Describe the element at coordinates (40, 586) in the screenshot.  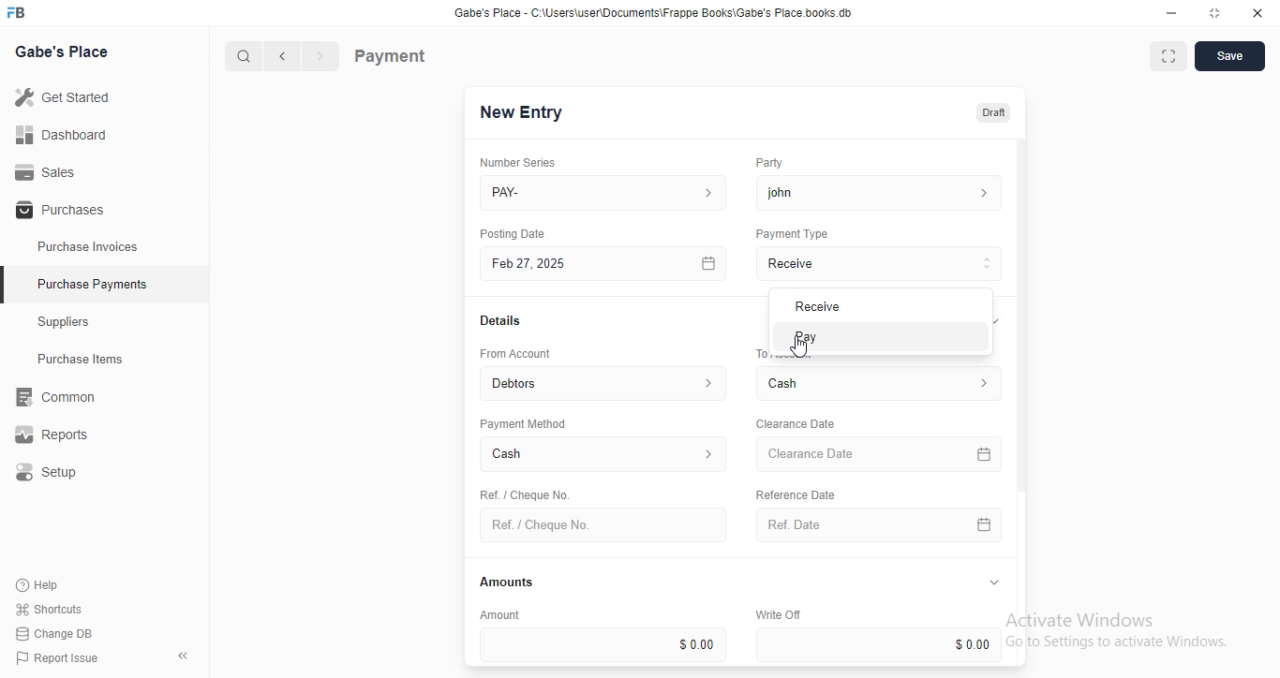
I see `Help` at that location.